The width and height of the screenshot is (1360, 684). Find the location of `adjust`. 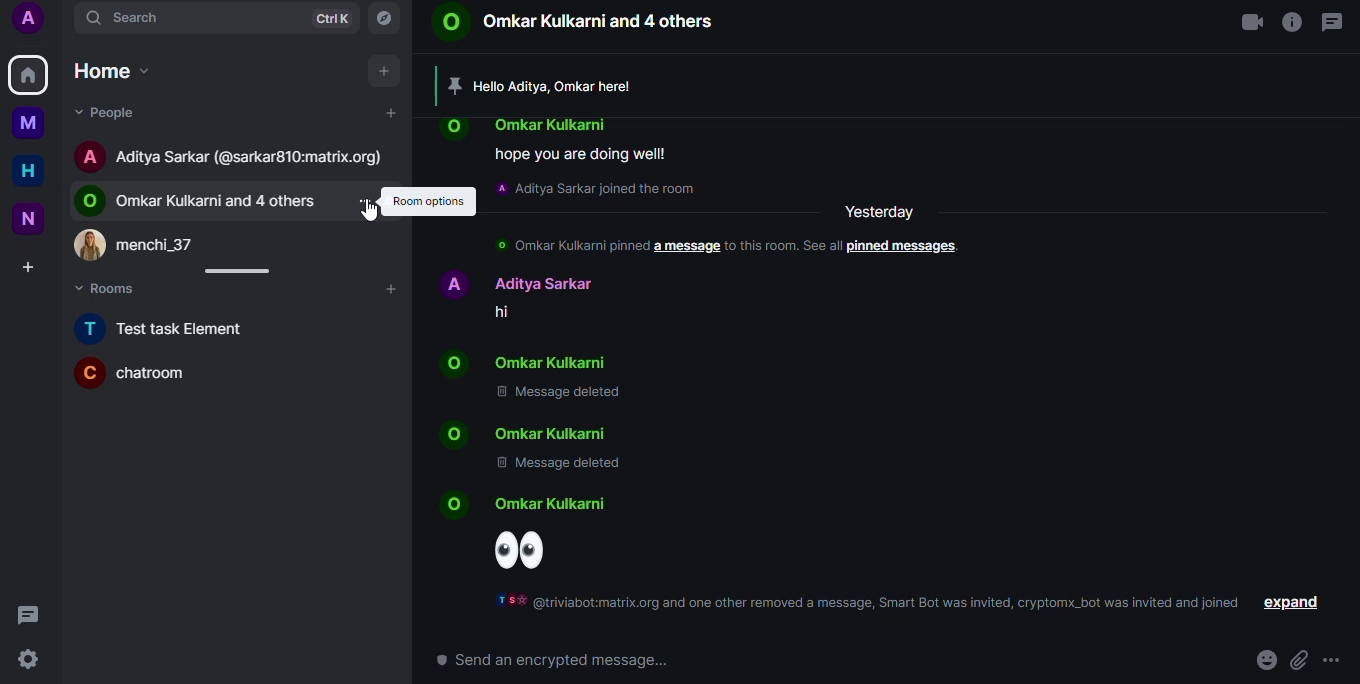

adjust is located at coordinates (244, 272).